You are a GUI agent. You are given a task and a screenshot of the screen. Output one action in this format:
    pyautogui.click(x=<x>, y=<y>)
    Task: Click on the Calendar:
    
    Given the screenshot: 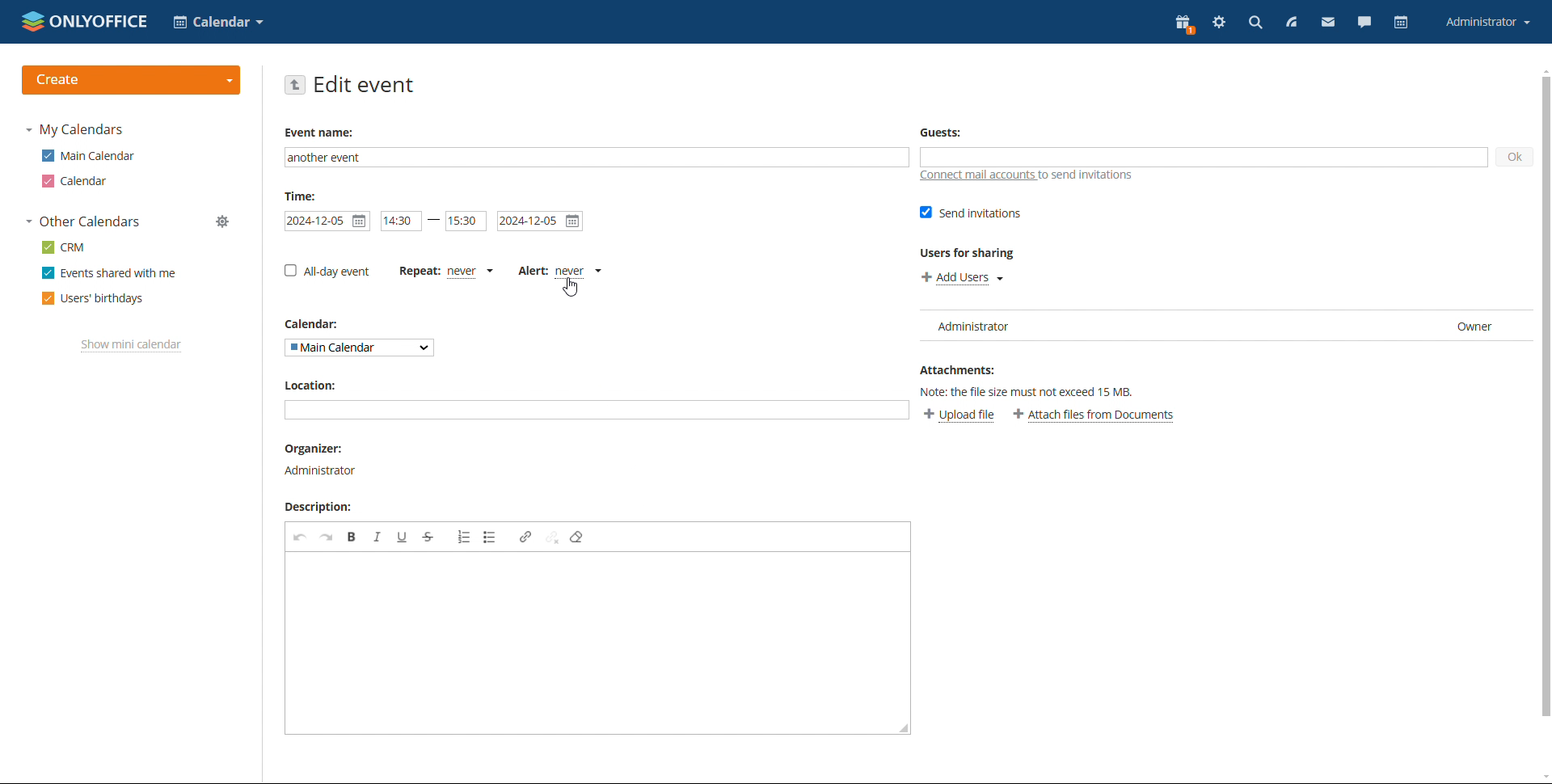 What is the action you would take?
    pyautogui.click(x=318, y=324)
    